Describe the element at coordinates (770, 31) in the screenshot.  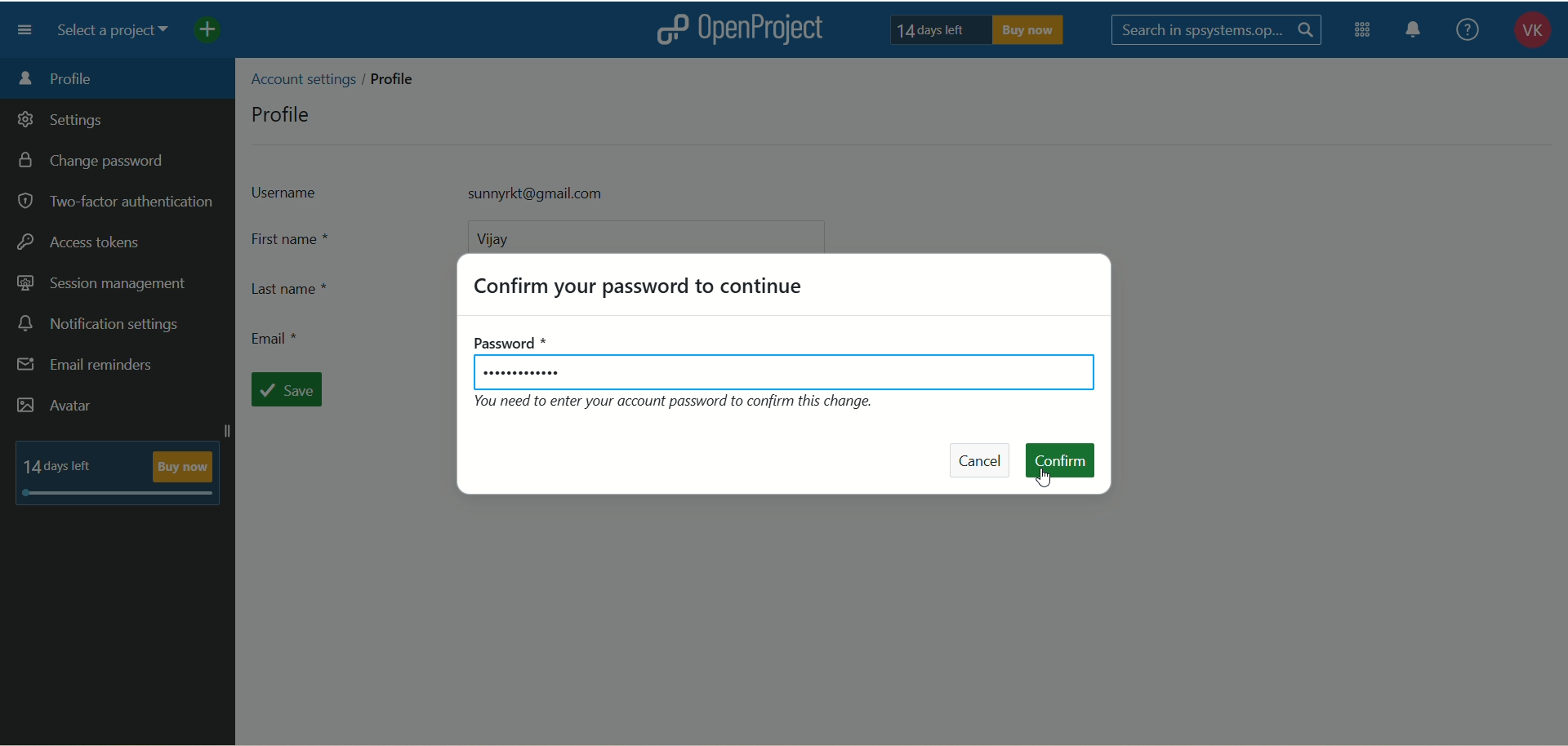
I see `openproject` at that location.